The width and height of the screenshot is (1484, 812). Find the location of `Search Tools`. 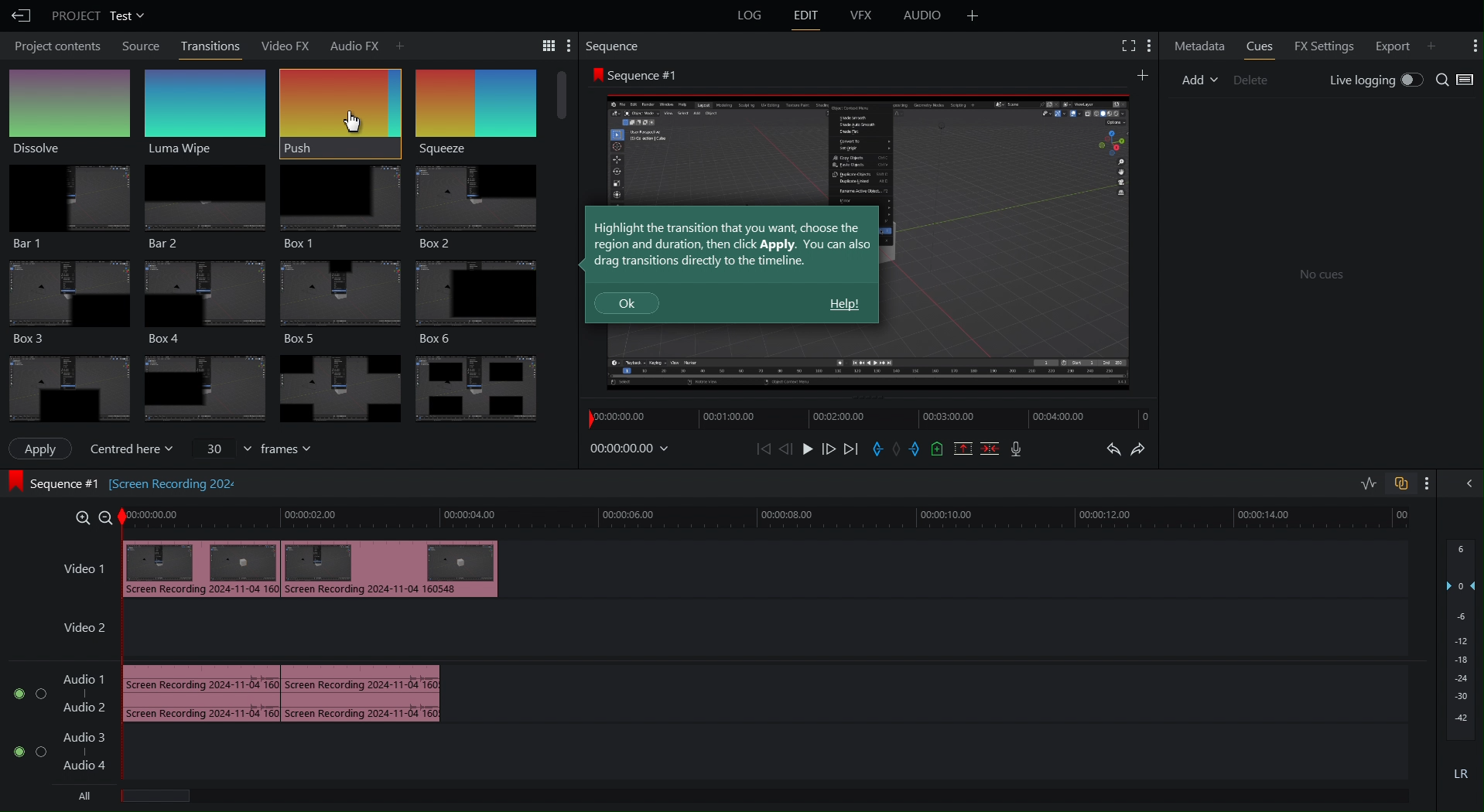

Search Tools is located at coordinates (542, 45).